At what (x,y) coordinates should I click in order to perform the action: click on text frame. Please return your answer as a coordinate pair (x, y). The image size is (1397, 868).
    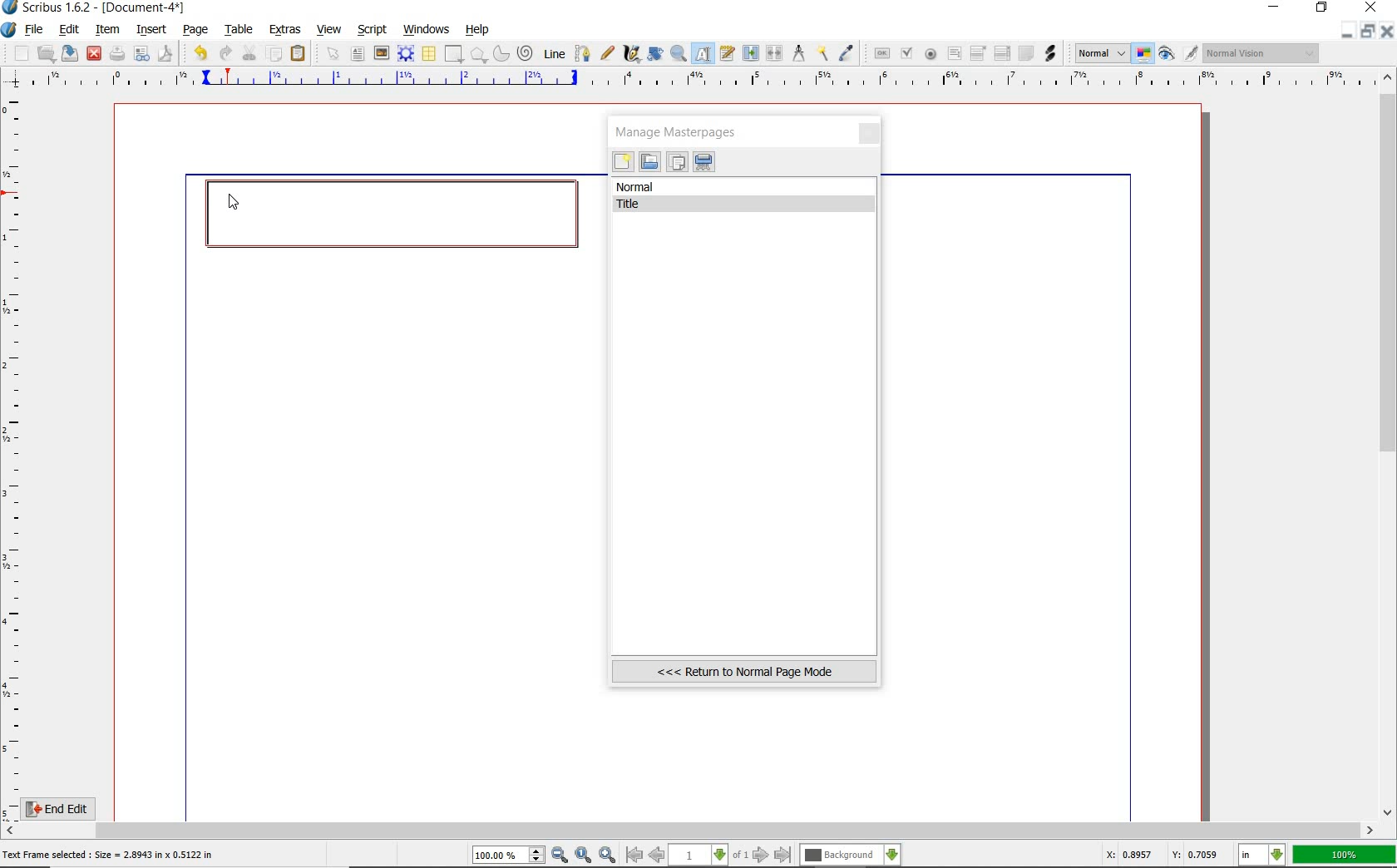
    Looking at the image, I should click on (359, 54).